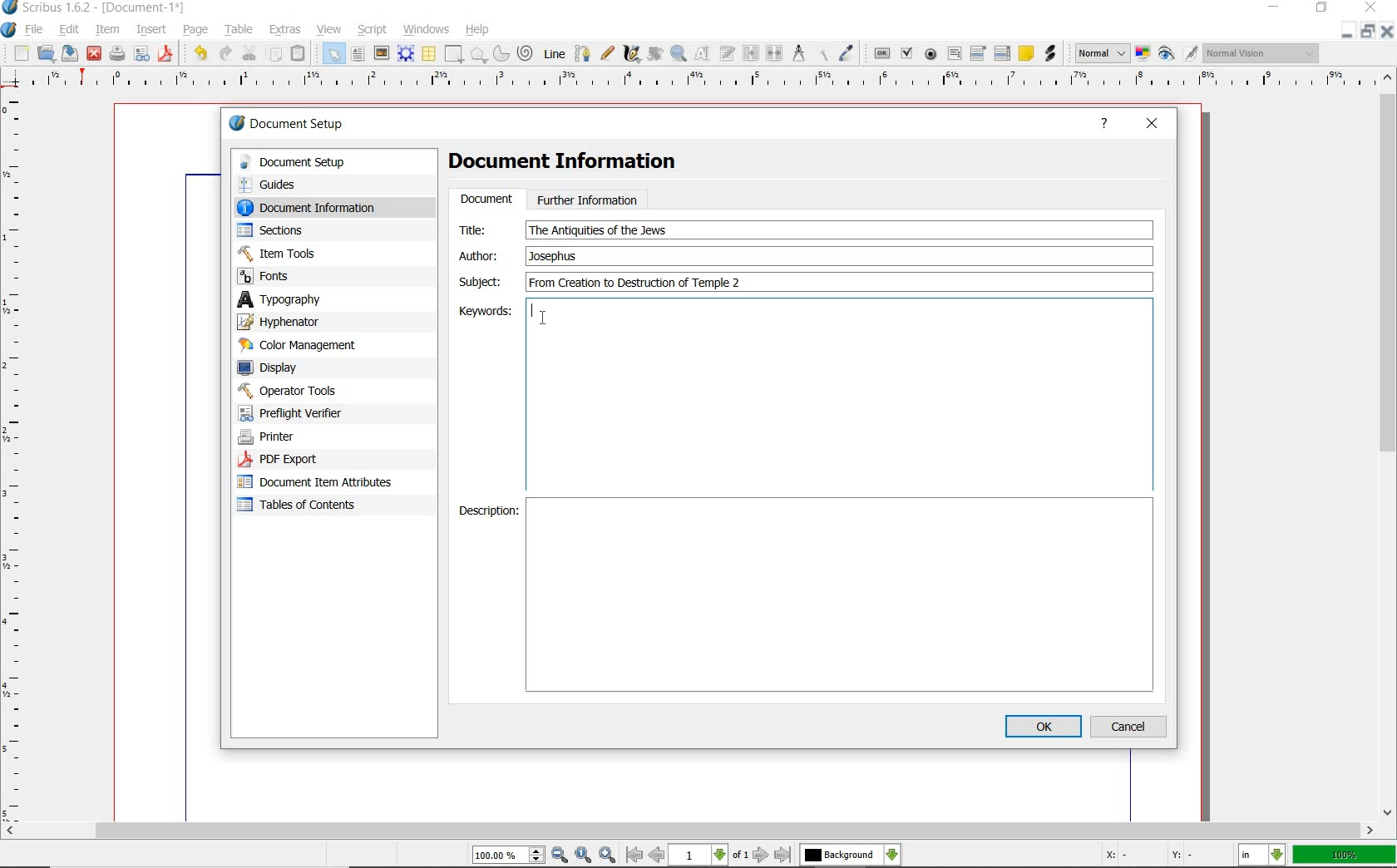 This screenshot has height=868, width=1397. I want to click on help, so click(480, 28).